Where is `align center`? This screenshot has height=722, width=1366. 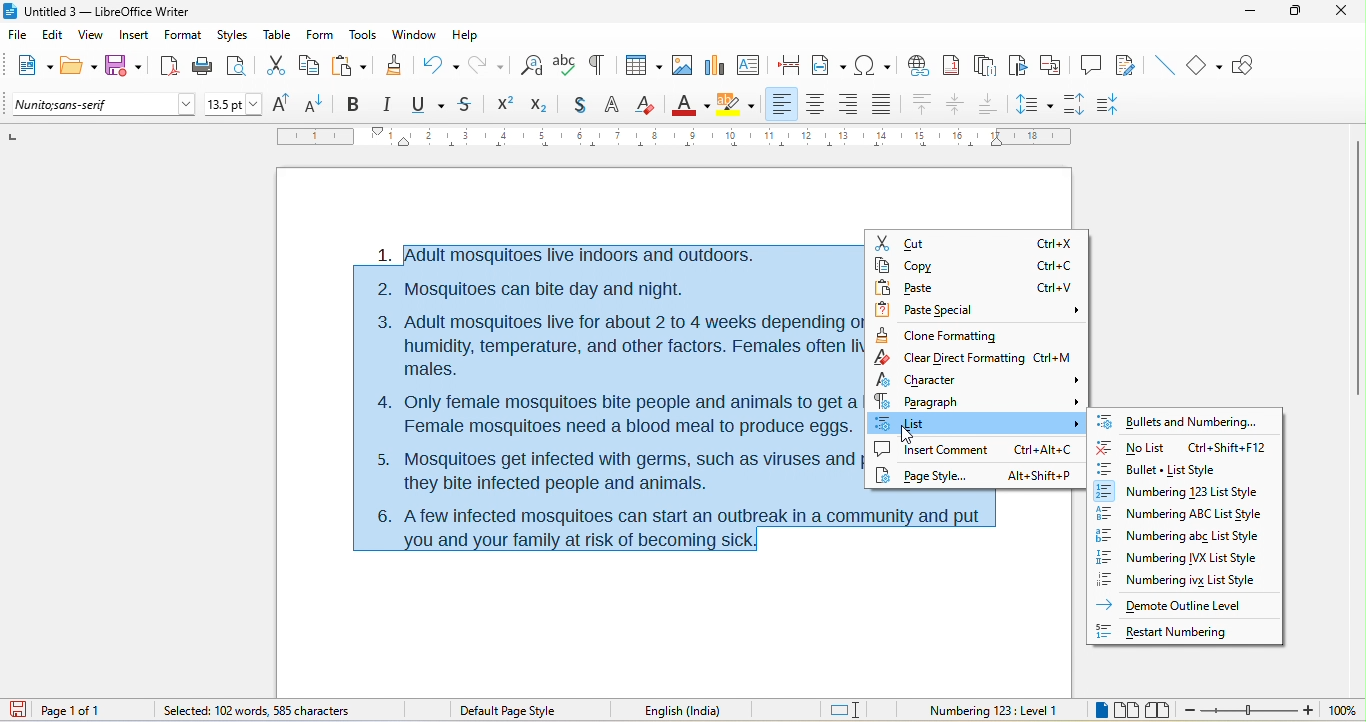
align center is located at coordinates (815, 105).